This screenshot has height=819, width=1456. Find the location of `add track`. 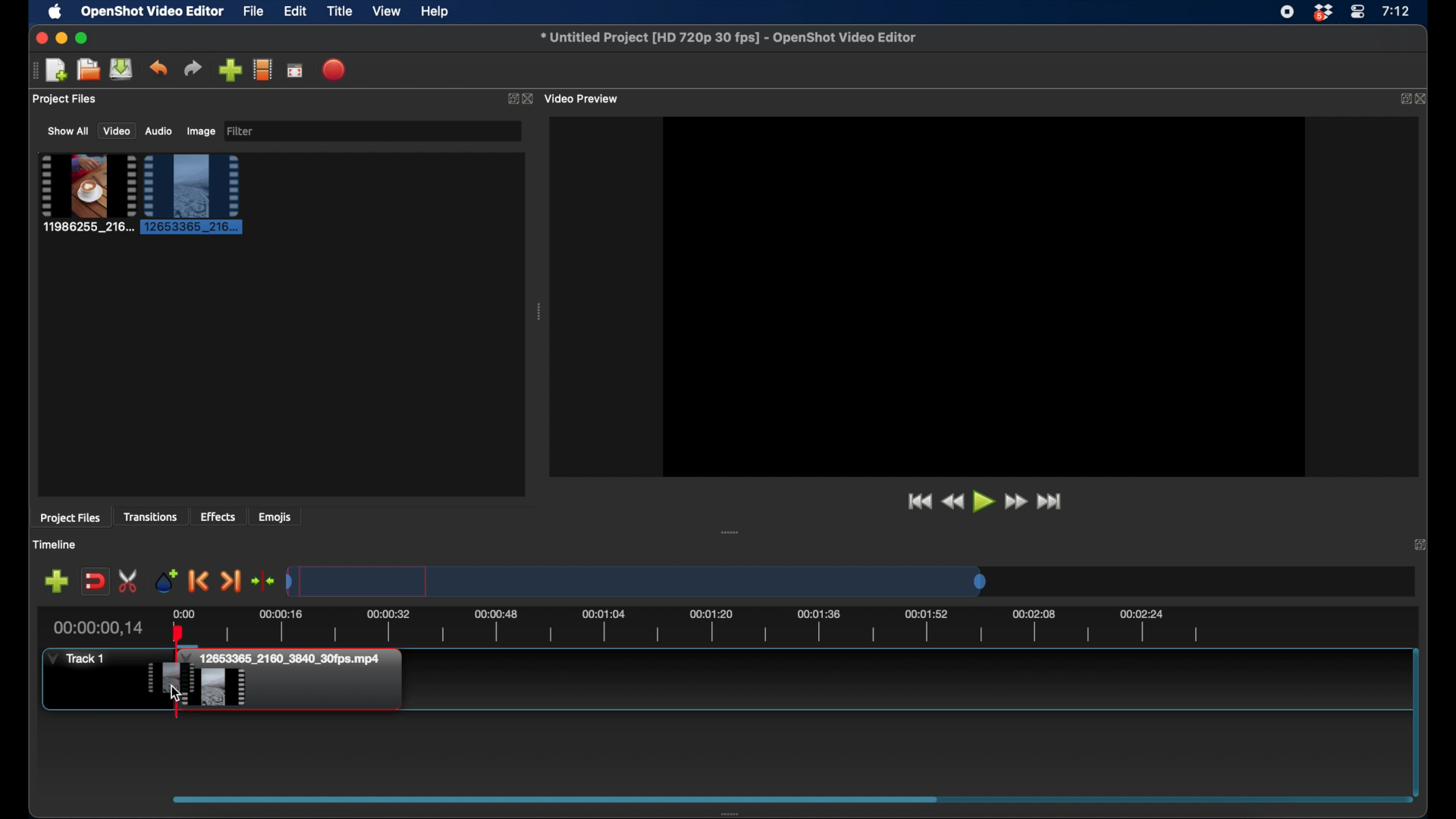

add track is located at coordinates (58, 580).